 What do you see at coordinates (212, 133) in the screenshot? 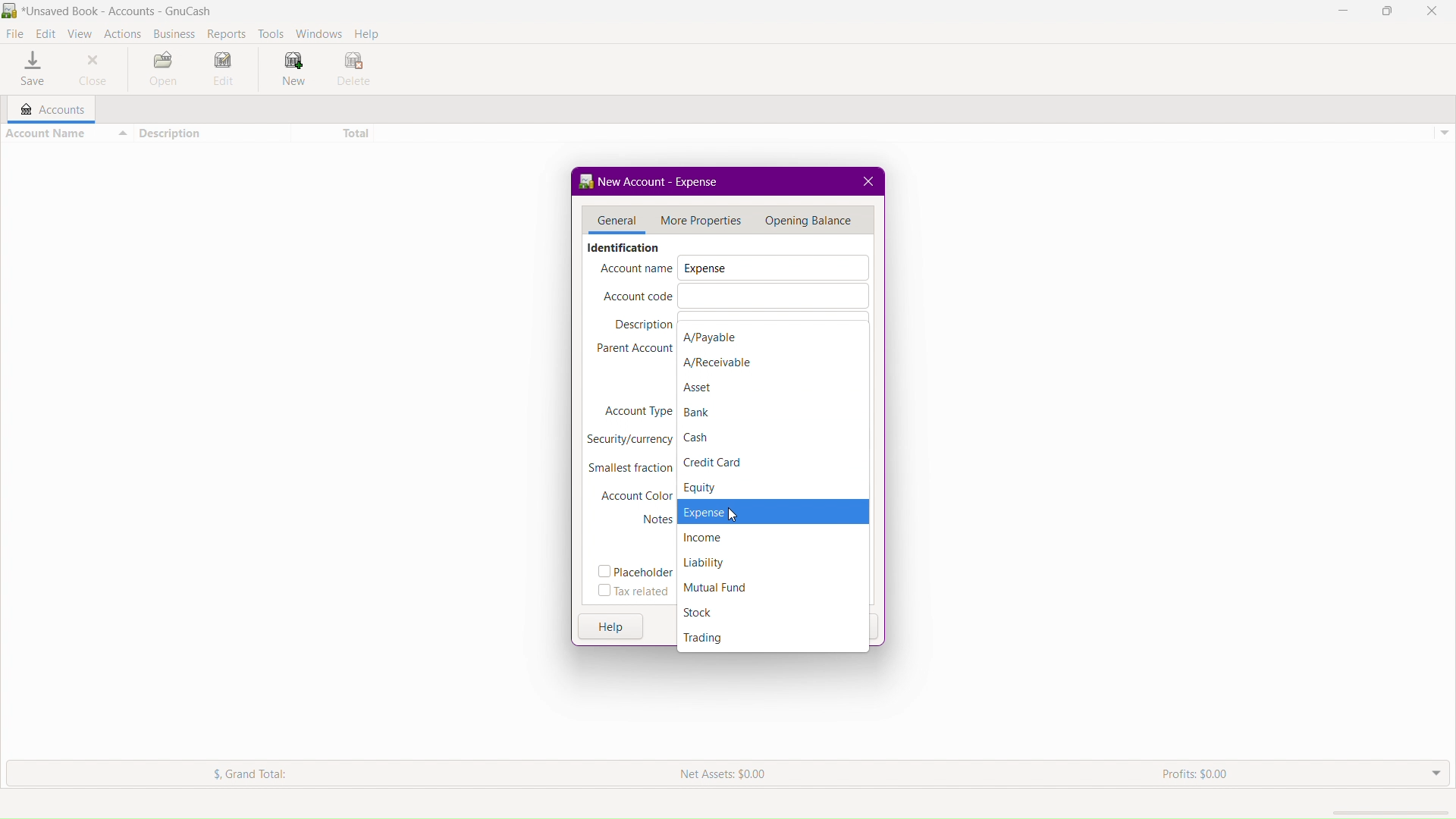
I see `Description` at bounding box center [212, 133].